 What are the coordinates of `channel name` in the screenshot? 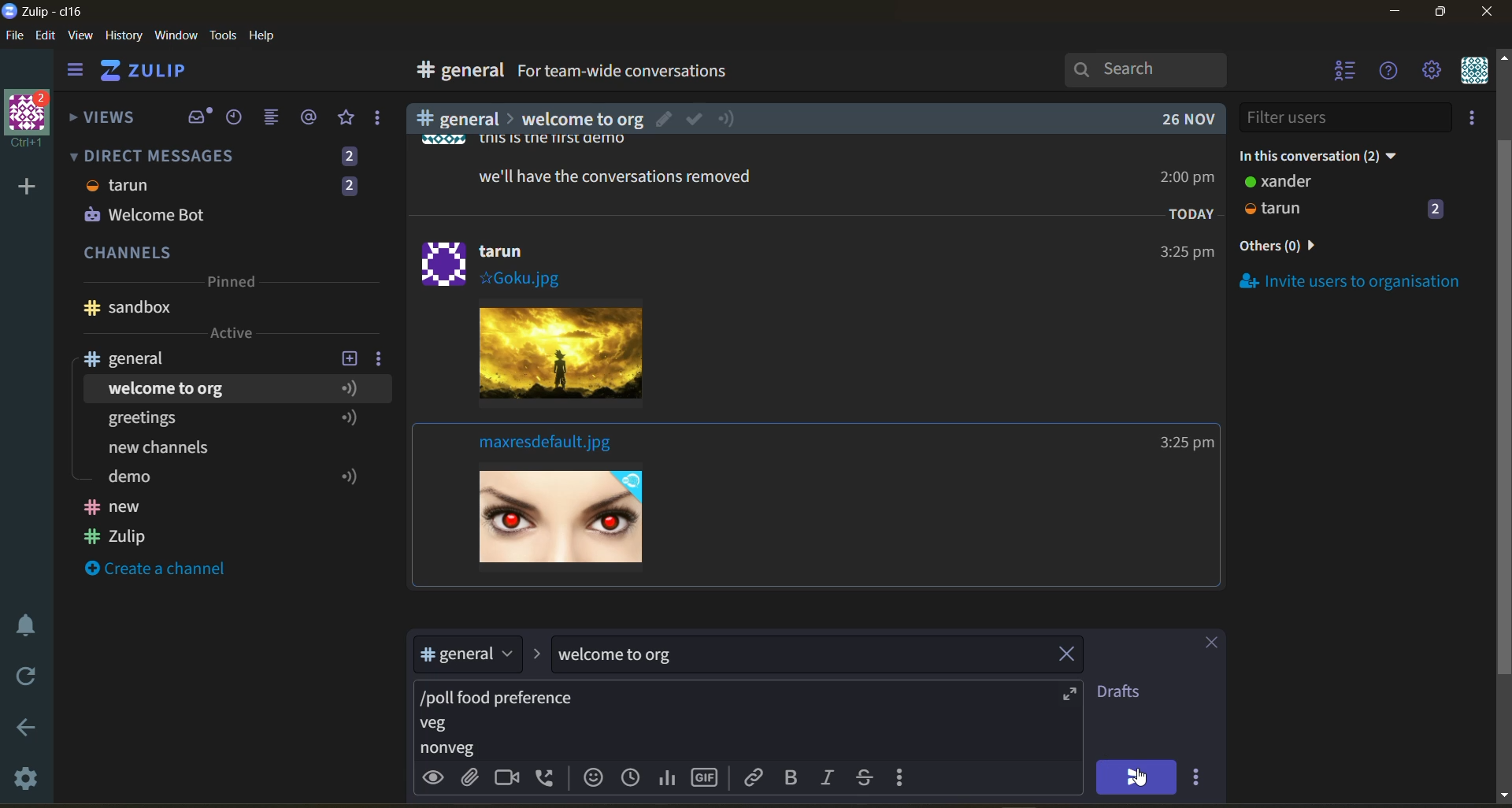 It's located at (136, 358).